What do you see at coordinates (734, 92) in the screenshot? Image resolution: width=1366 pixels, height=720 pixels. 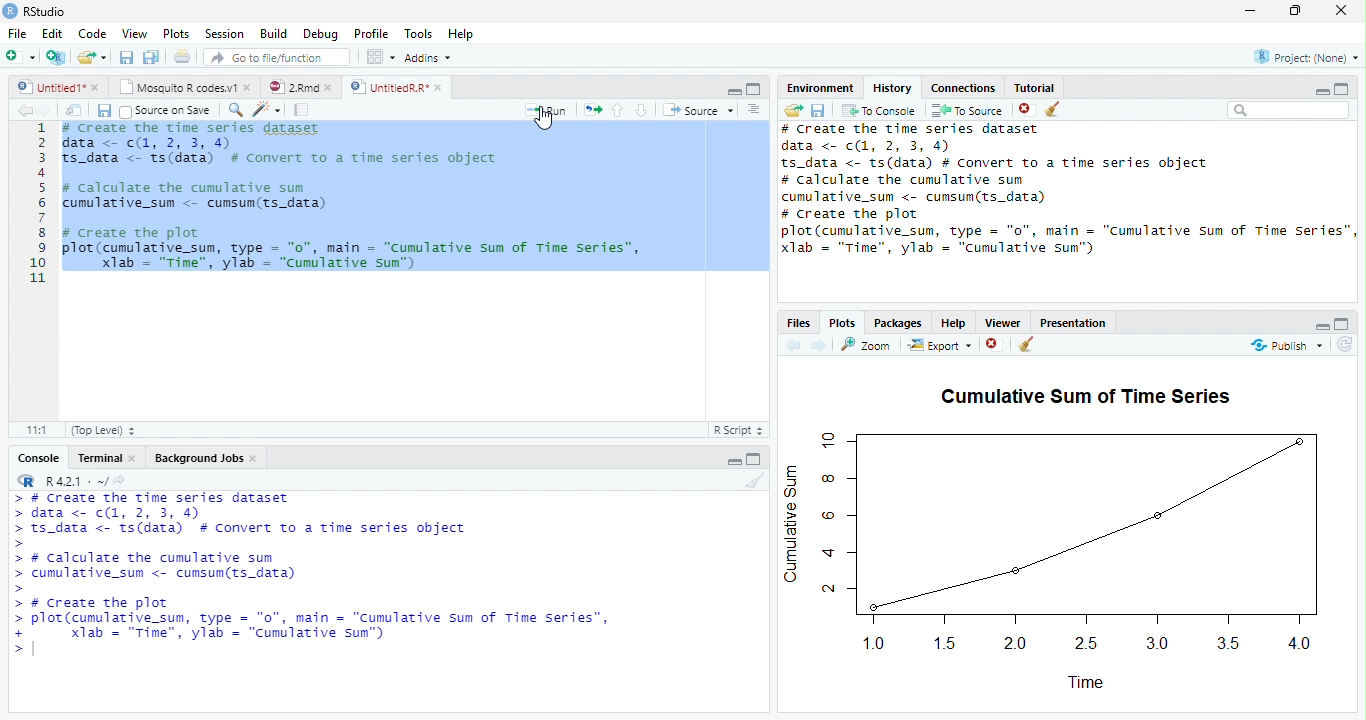 I see `Minimize` at bounding box center [734, 92].